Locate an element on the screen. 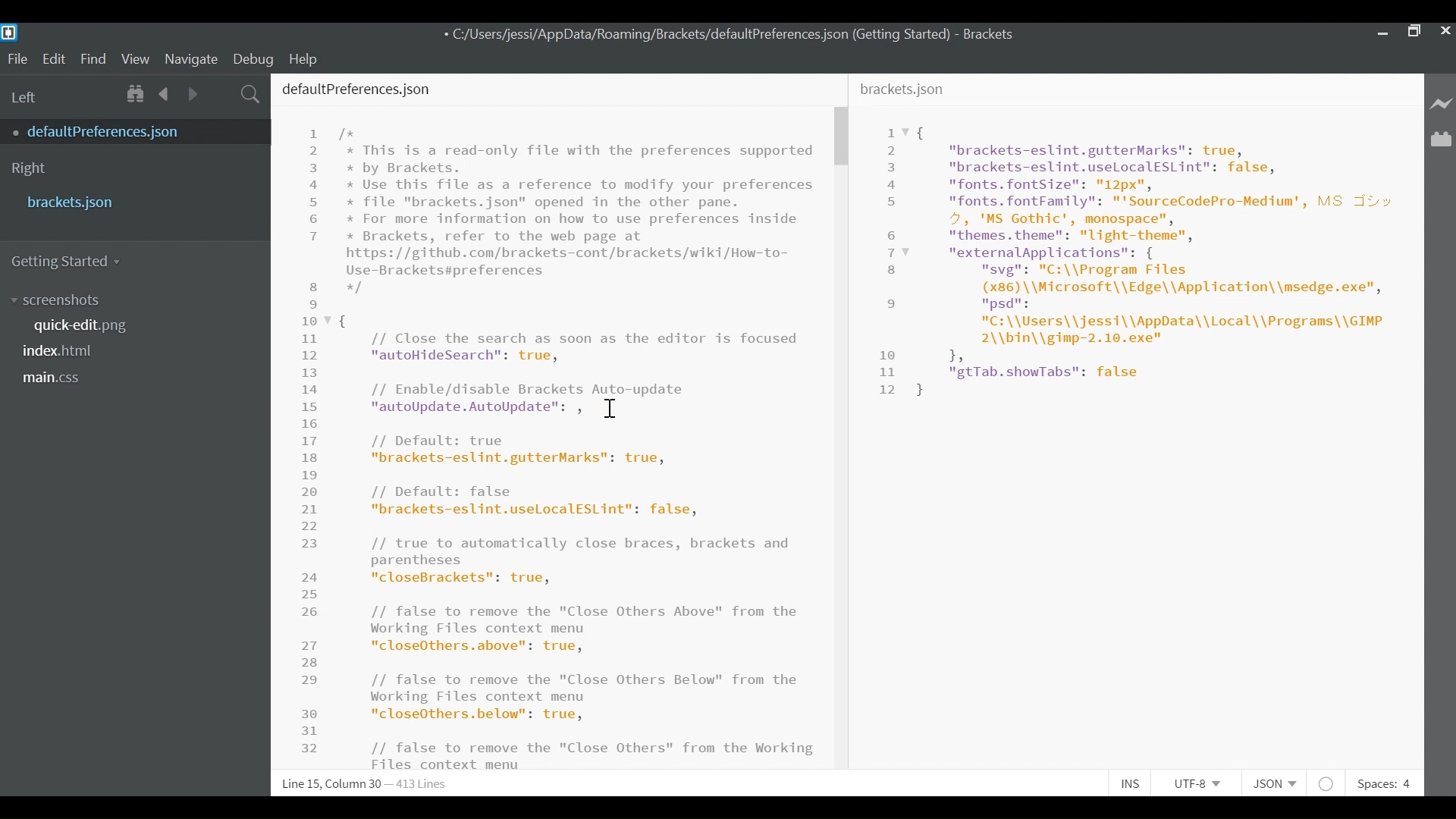 This screenshot has height=819, width=1456. Select File Encoding is located at coordinates (1197, 786).